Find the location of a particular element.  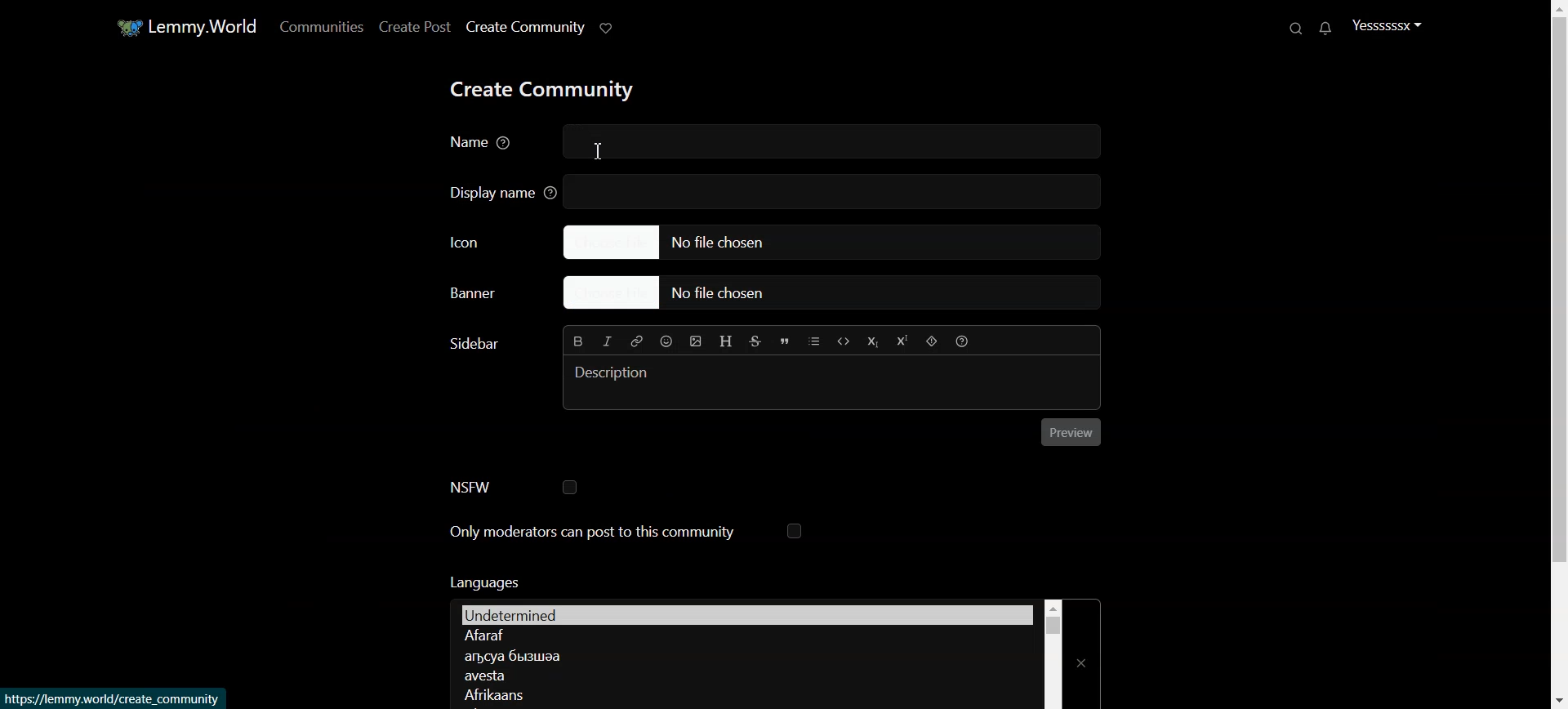

Search is located at coordinates (1298, 28).